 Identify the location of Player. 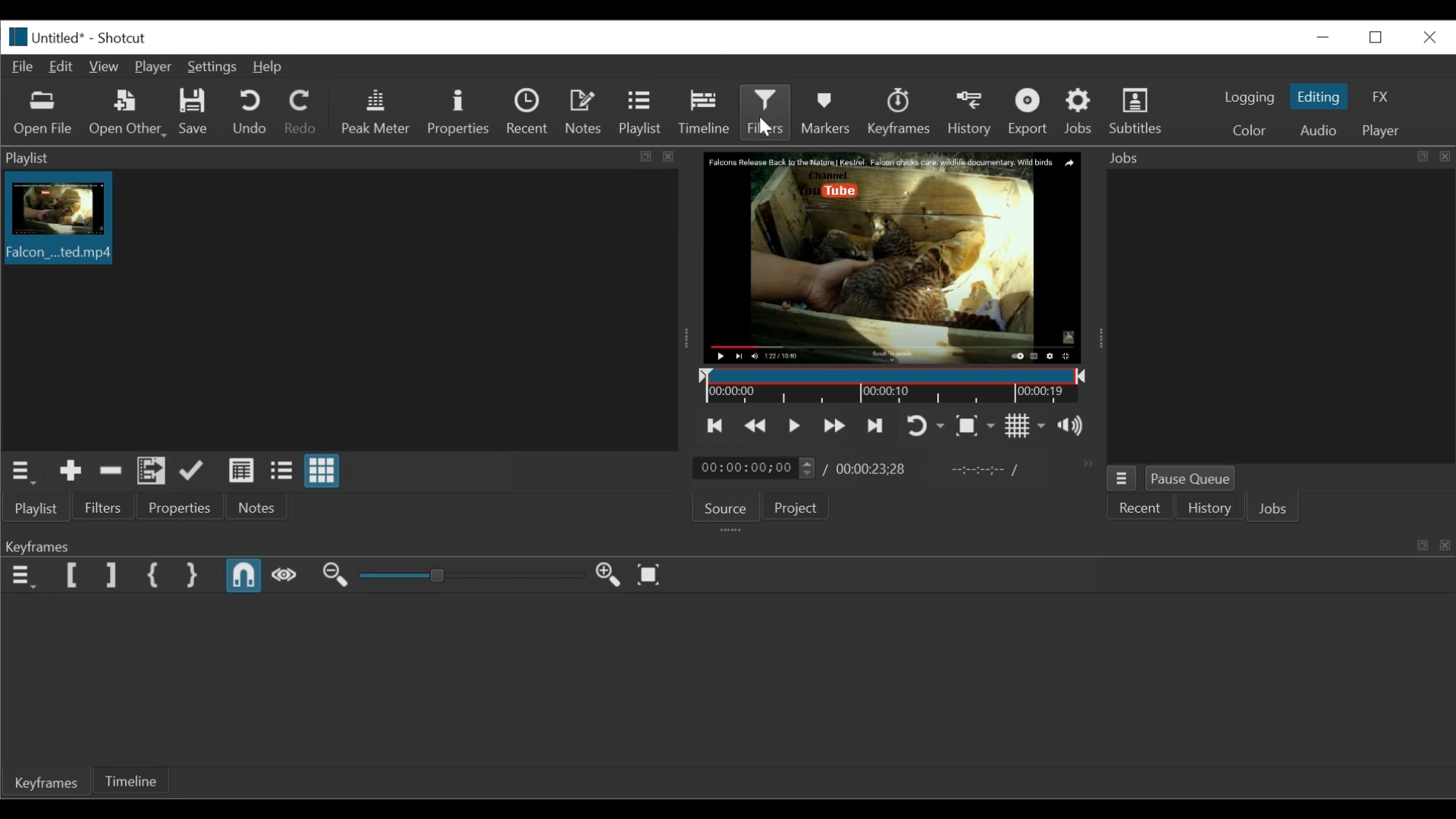
(1382, 130).